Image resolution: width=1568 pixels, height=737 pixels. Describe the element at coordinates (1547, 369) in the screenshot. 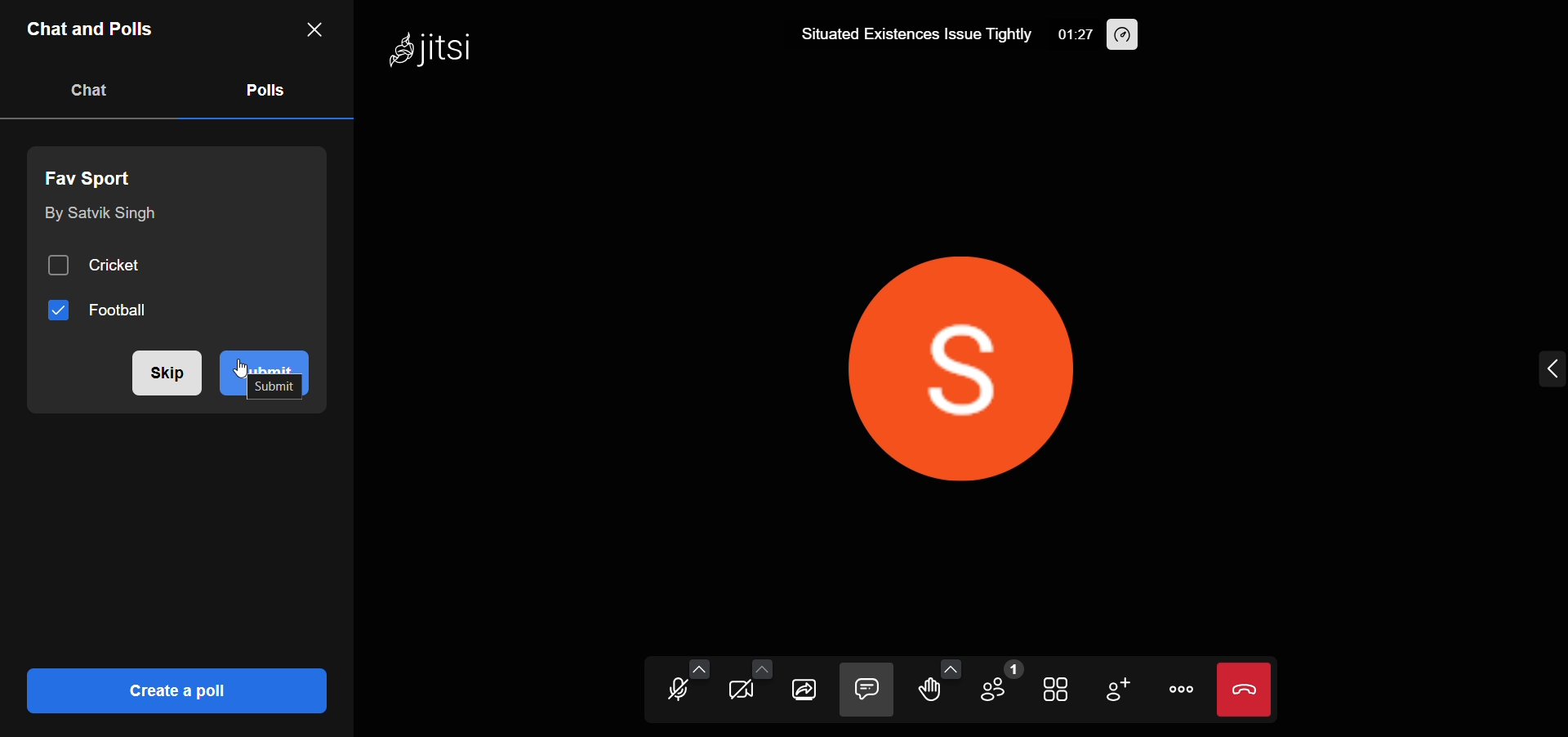

I see `expand` at that location.